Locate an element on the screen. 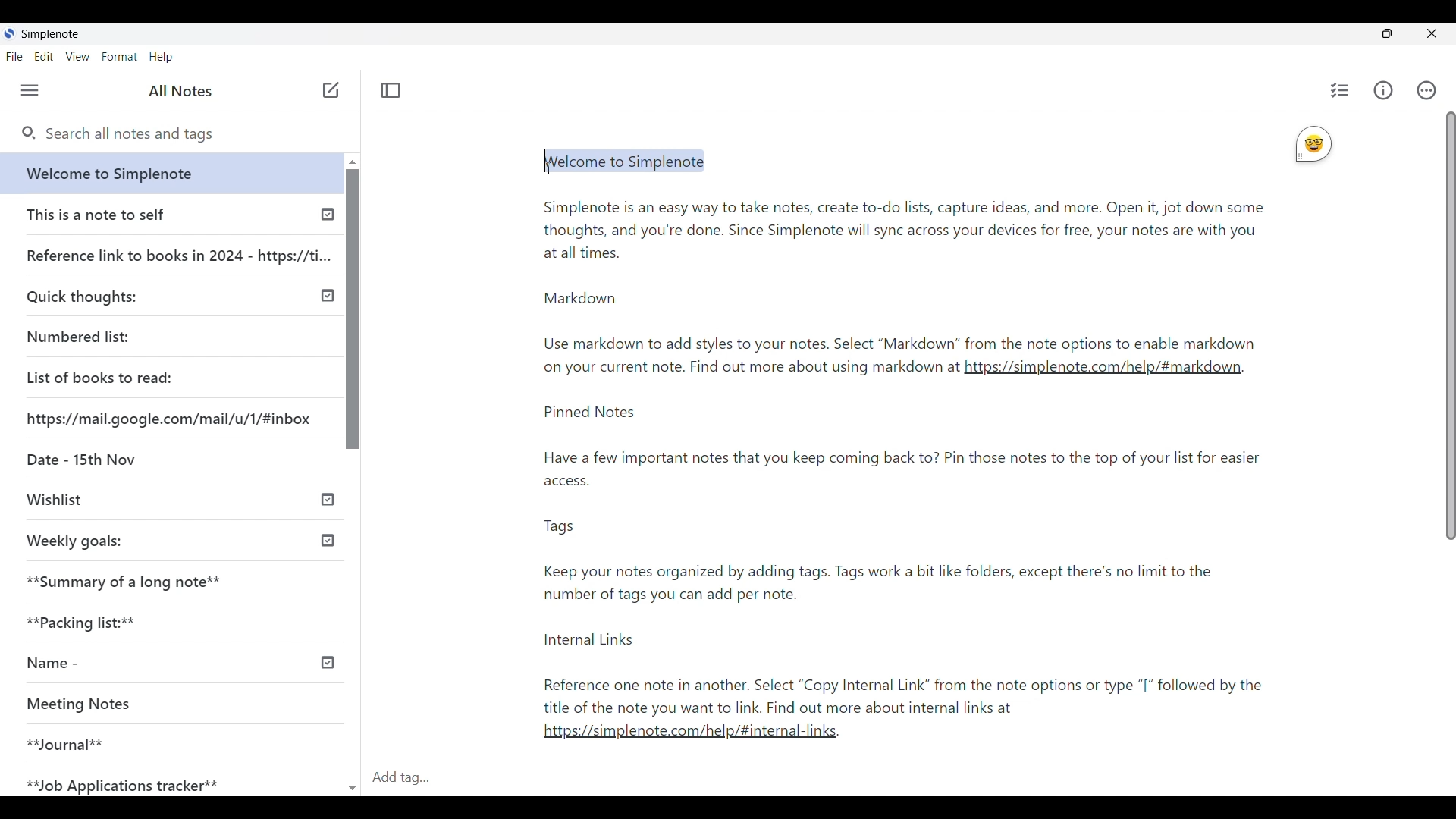 This screenshot has height=819, width=1456. Quick slide to bottom is located at coordinates (352, 781).